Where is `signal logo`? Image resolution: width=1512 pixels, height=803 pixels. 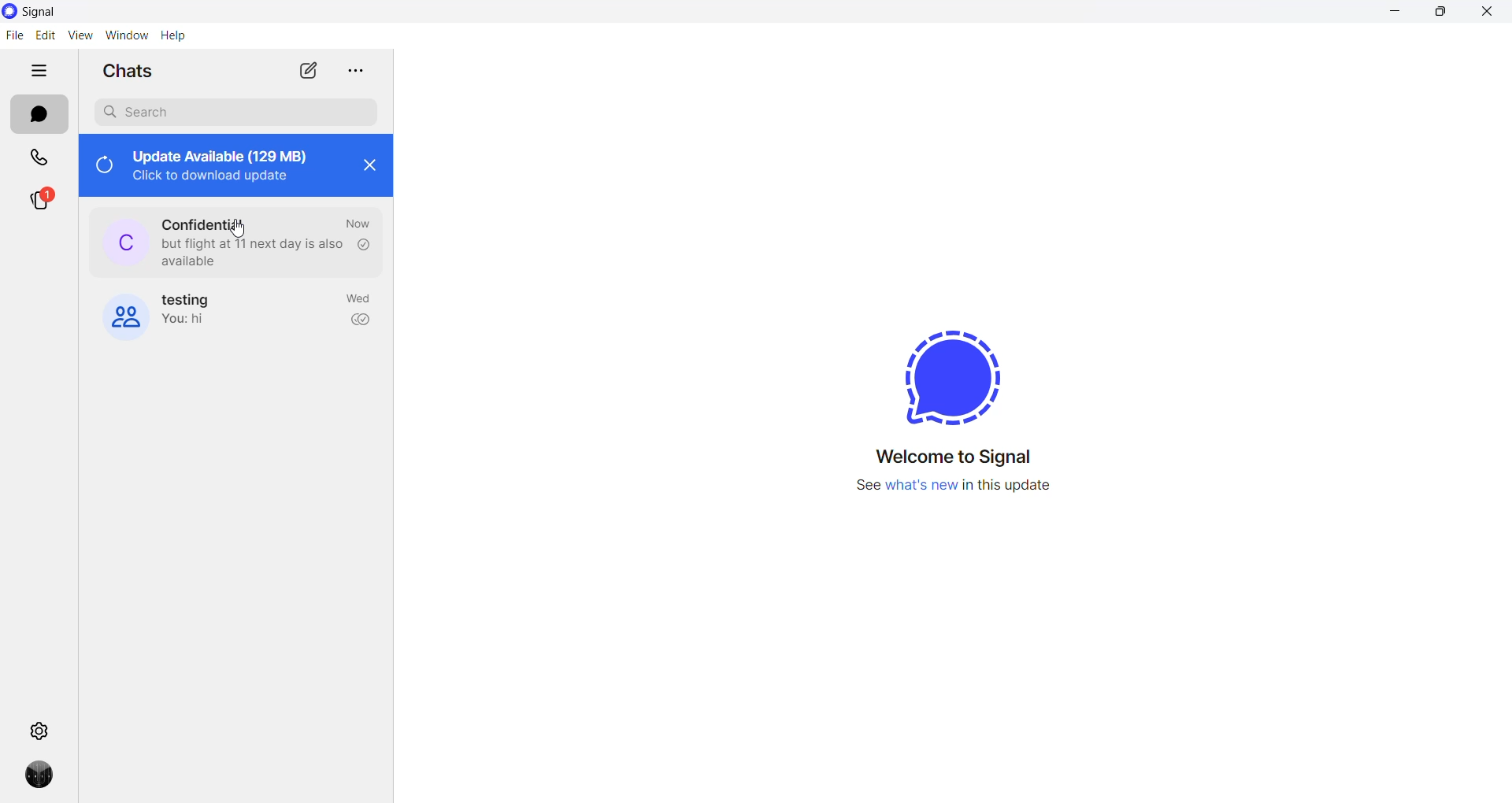
signal logo is located at coordinates (956, 361).